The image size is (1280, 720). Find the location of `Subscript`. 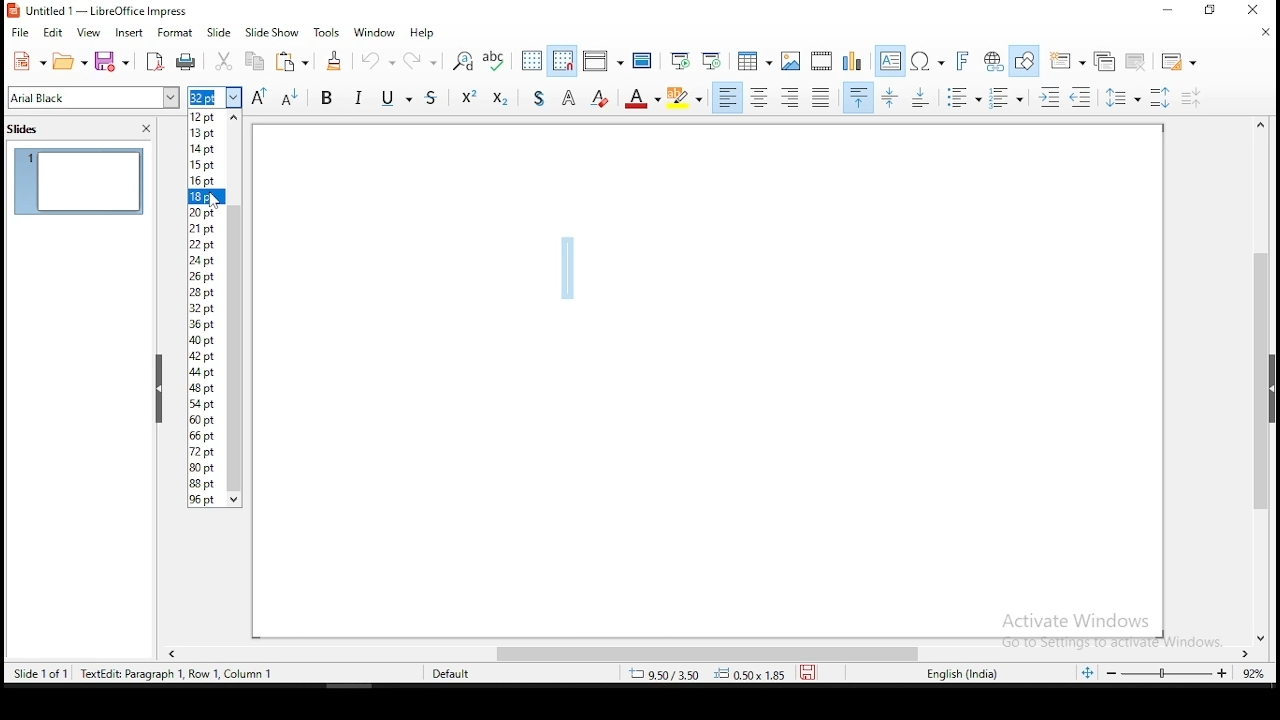

Subscript is located at coordinates (499, 96).